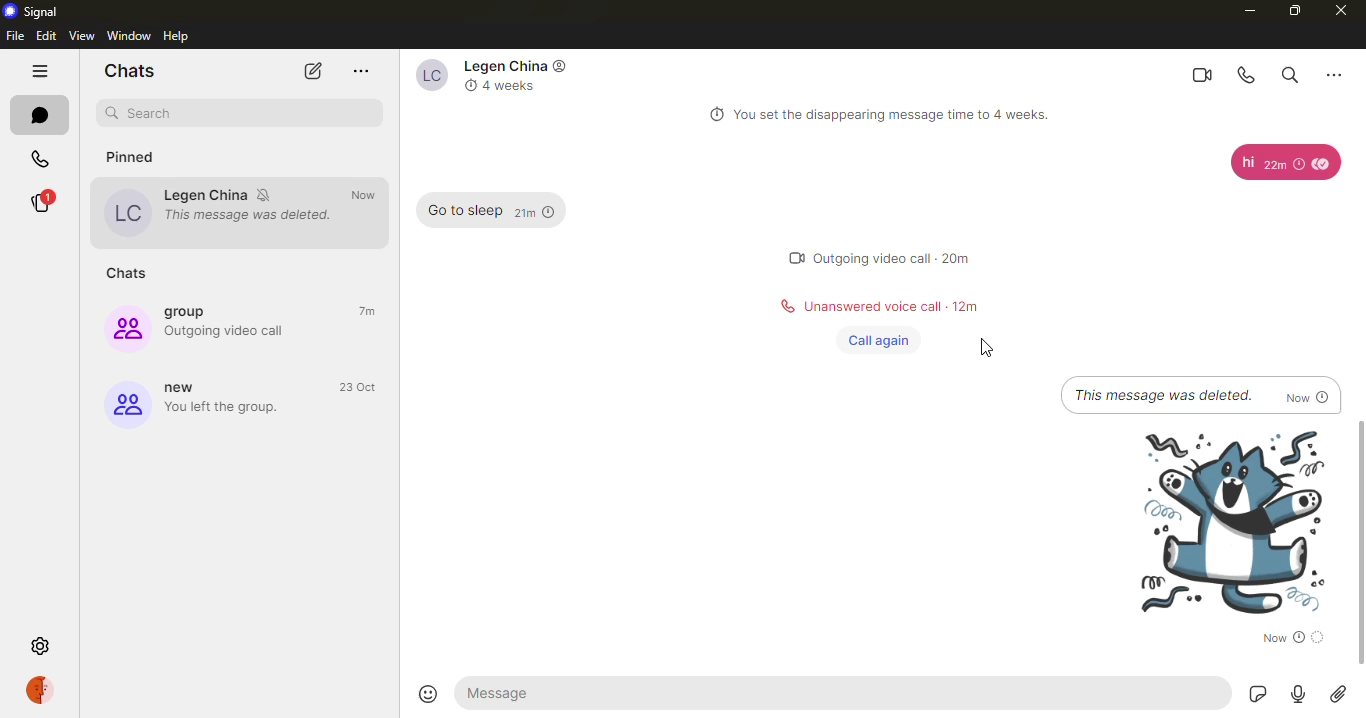 The width and height of the screenshot is (1366, 718). What do you see at coordinates (1274, 166) in the screenshot?
I see `22m` at bounding box center [1274, 166].